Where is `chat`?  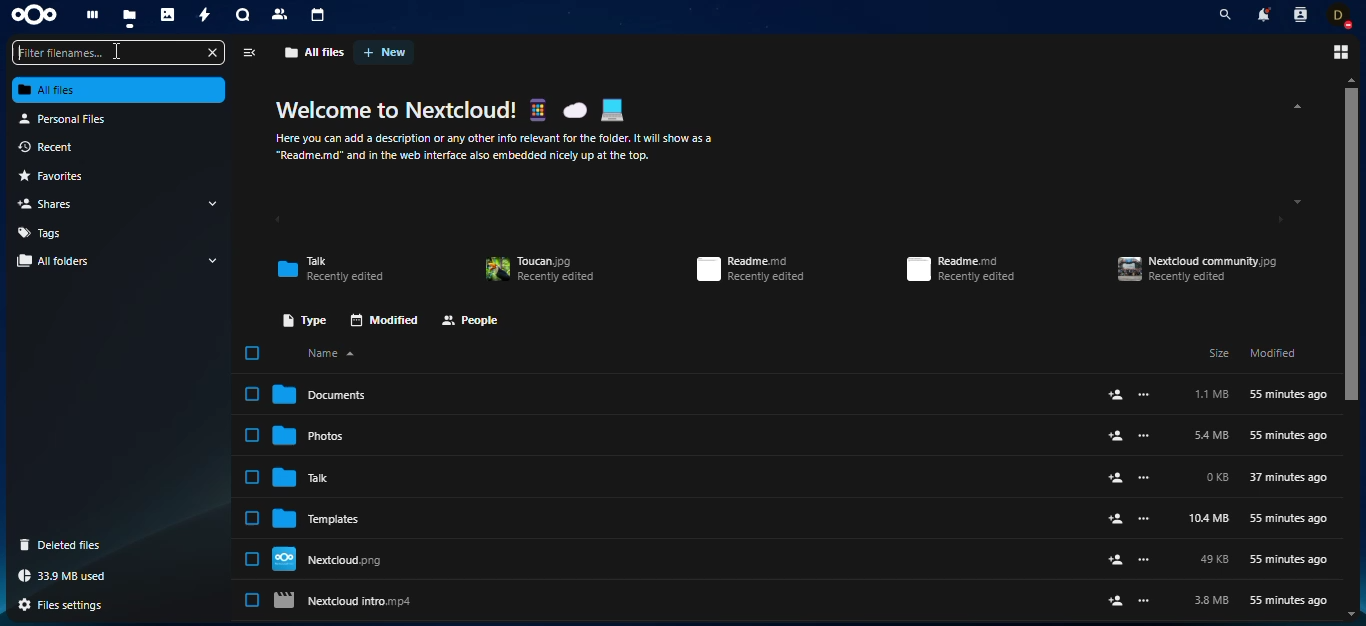
chat is located at coordinates (243, 17).